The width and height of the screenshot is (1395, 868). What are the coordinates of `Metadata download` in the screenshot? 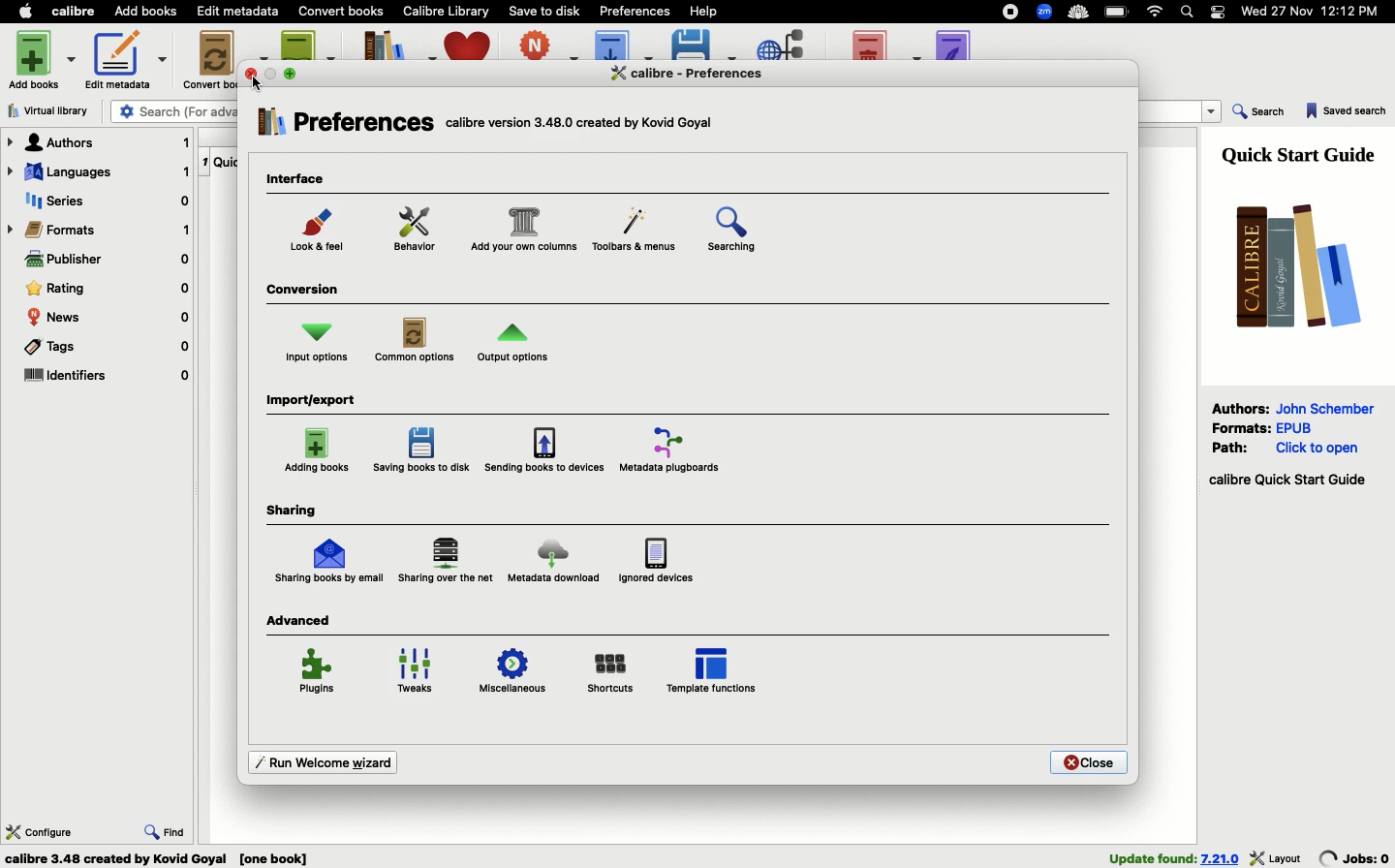 It's located at (552, 565).